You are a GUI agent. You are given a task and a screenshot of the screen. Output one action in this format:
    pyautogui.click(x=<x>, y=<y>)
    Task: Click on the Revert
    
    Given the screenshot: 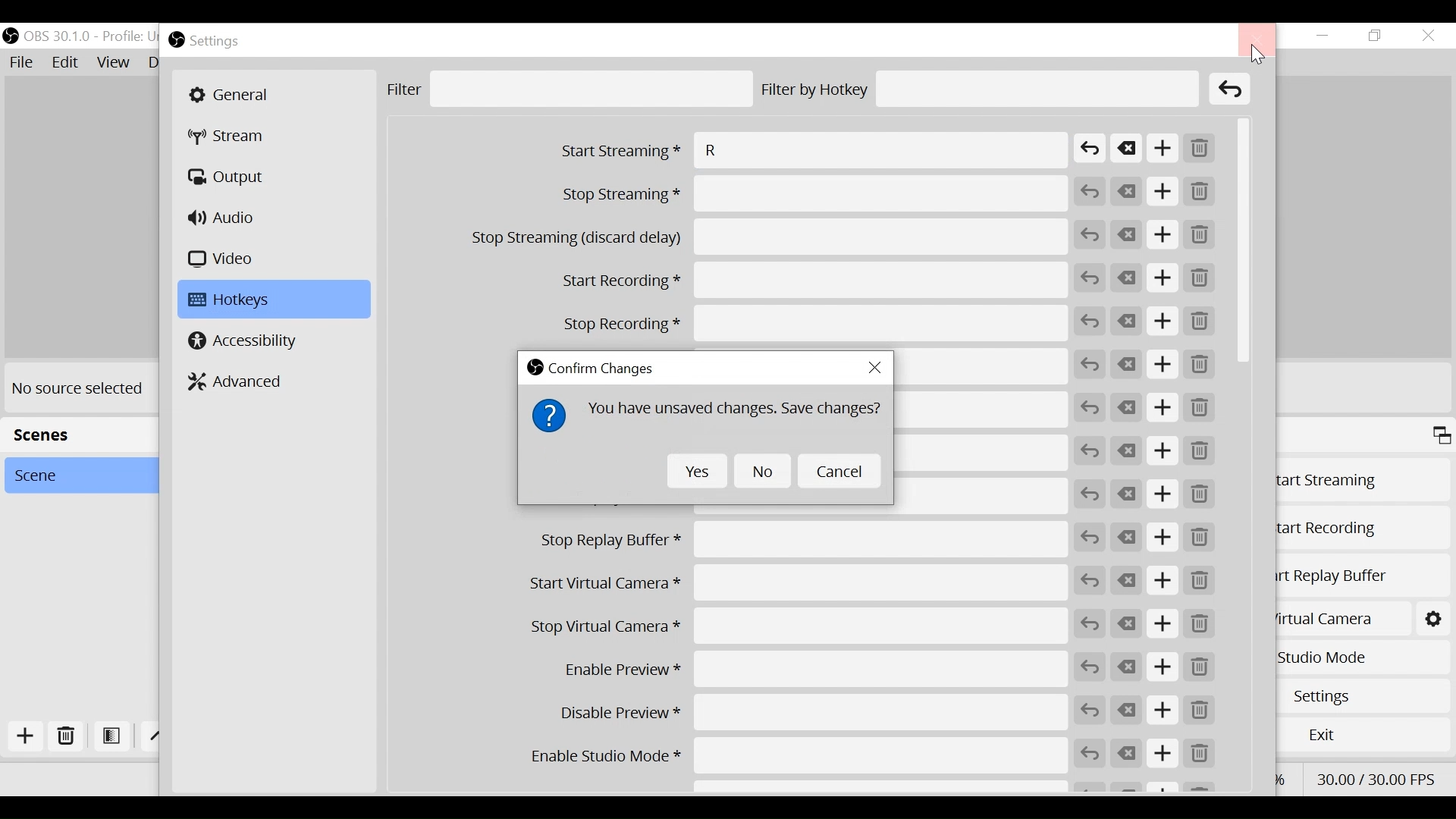 What is the action you would take?
    pyautogui.click(x=1089, y=667)
    